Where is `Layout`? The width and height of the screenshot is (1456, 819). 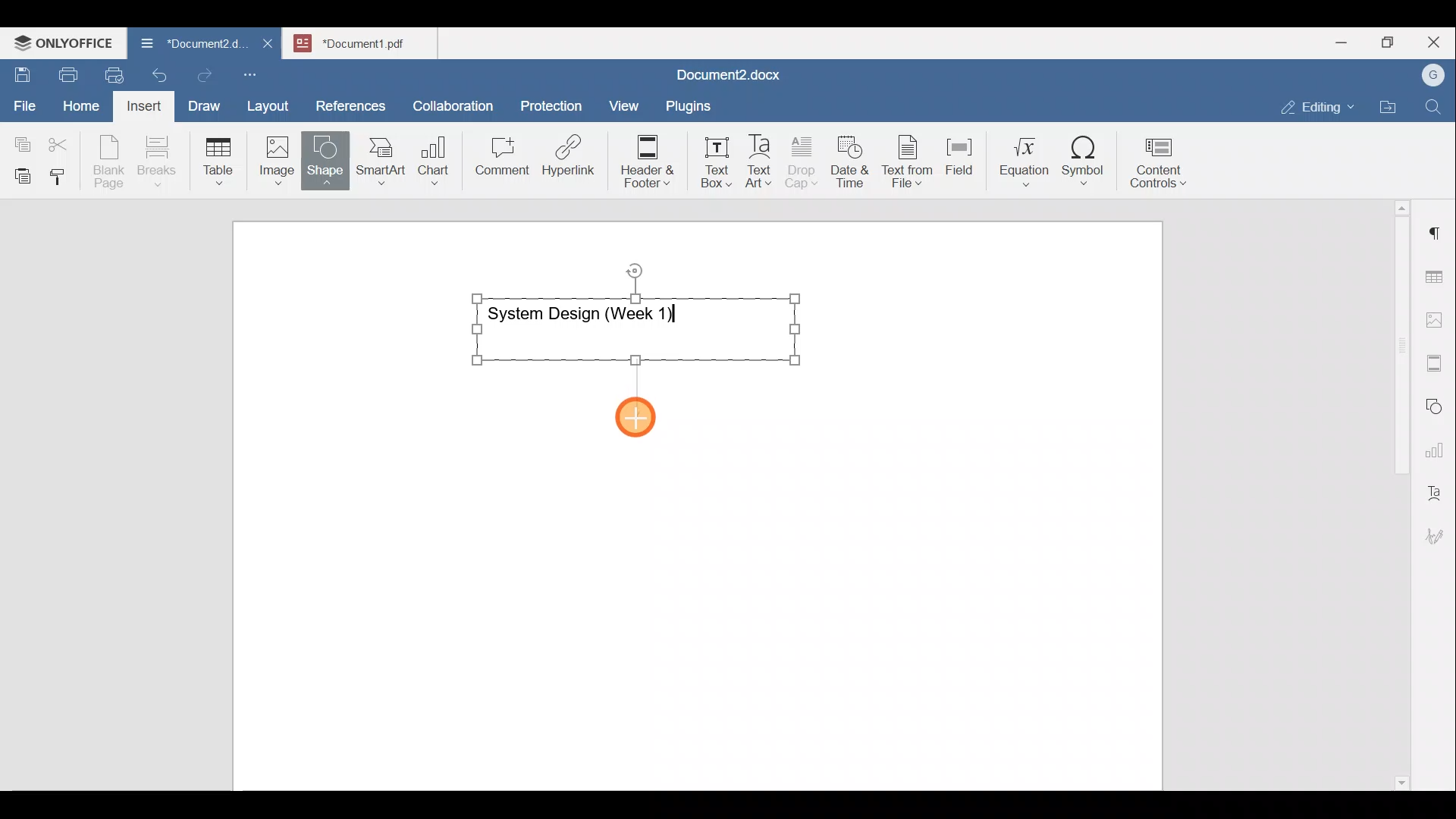
Layout is located at coordinates (271, 103).